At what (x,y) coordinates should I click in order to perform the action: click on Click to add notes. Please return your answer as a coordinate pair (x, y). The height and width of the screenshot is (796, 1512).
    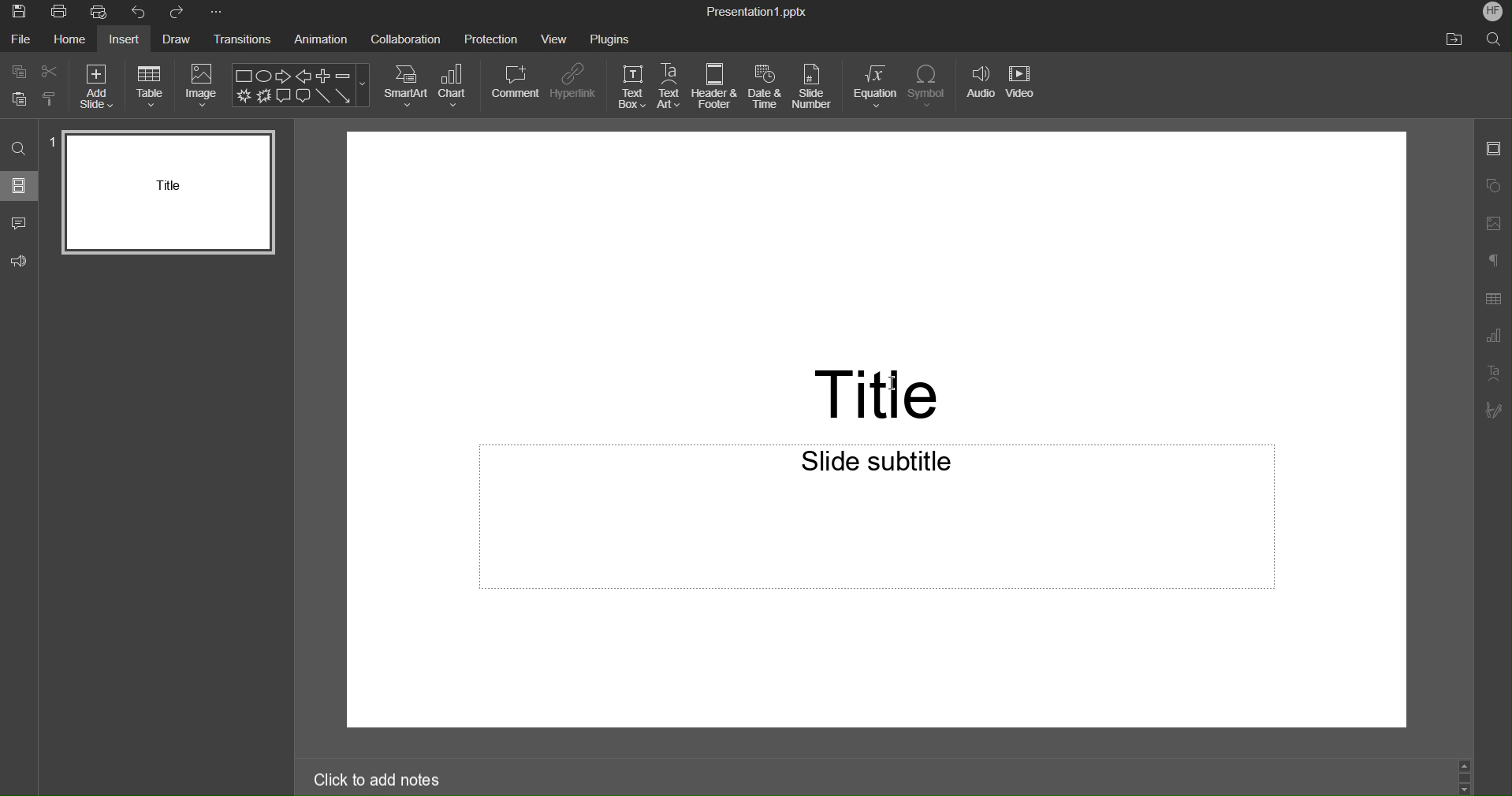
    Looking at the image, I should click on (378, 778).